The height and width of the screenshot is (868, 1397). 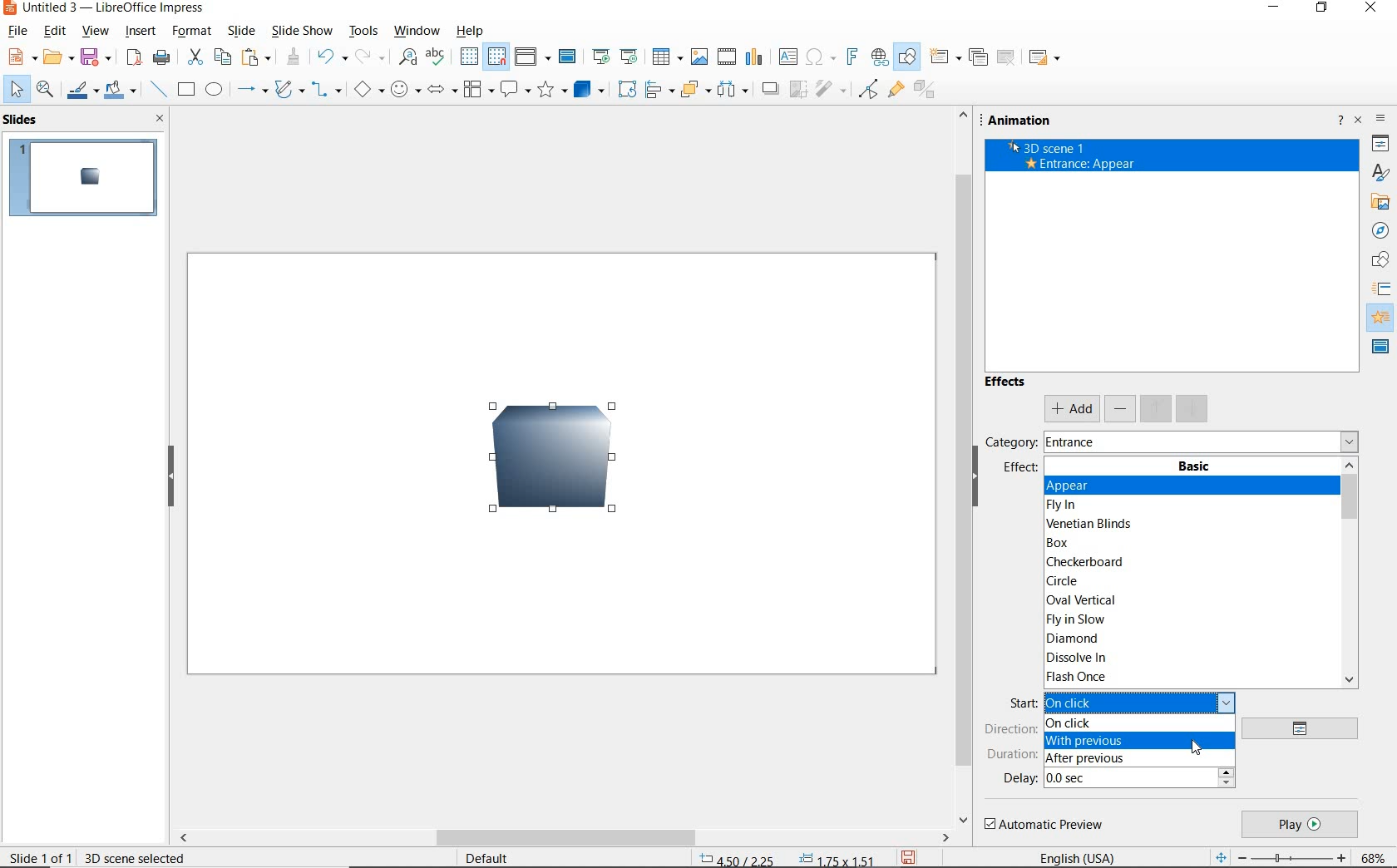 What do you see at coordinates (1380, 145) in the screenshot?
I see `PROPERTIES` at bounding box center [1380, 145].